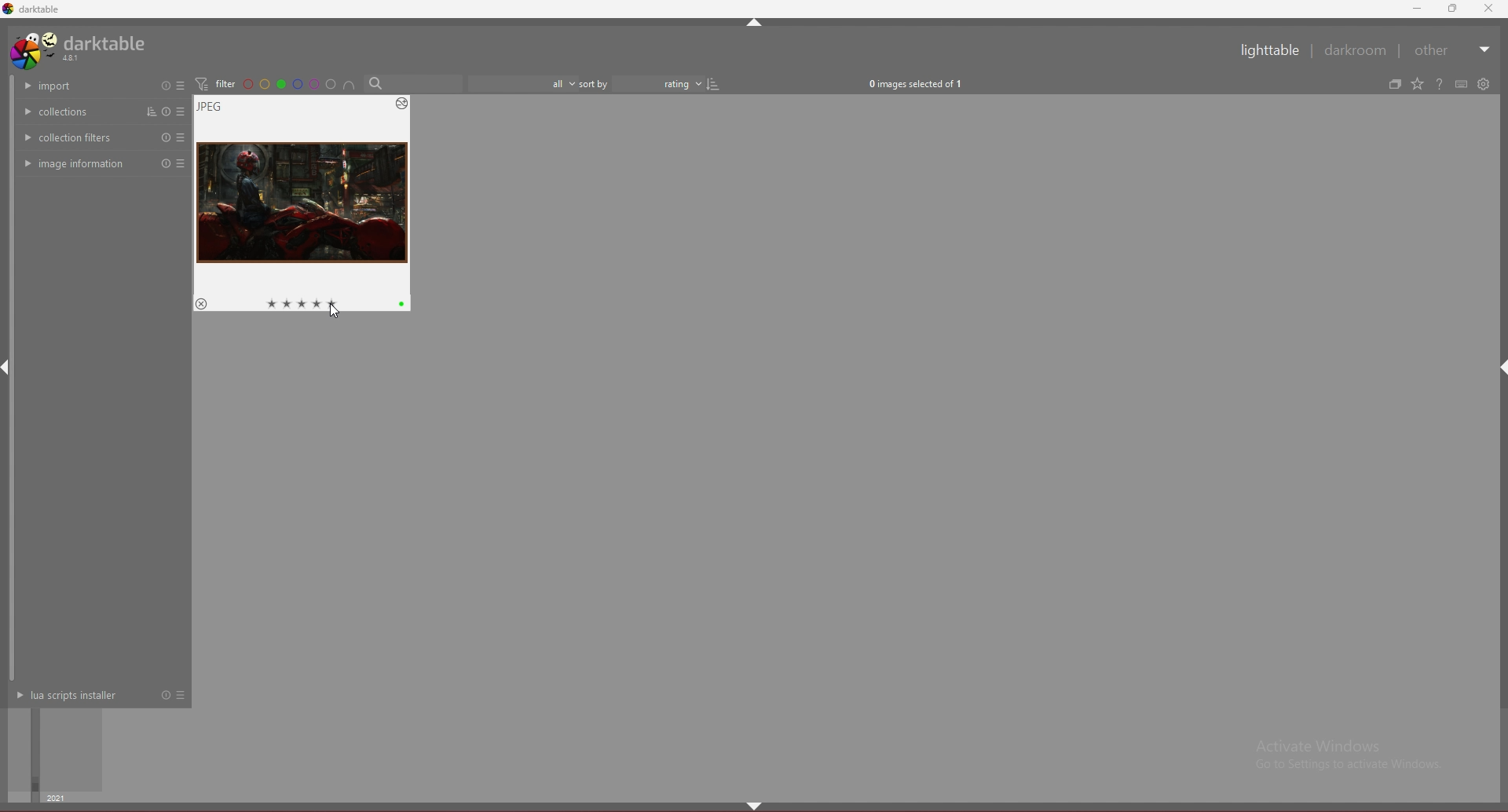  What do you see at coordinates (53, 750) in the screenshot?
I see `time selector` at bounding box center [53, 750].